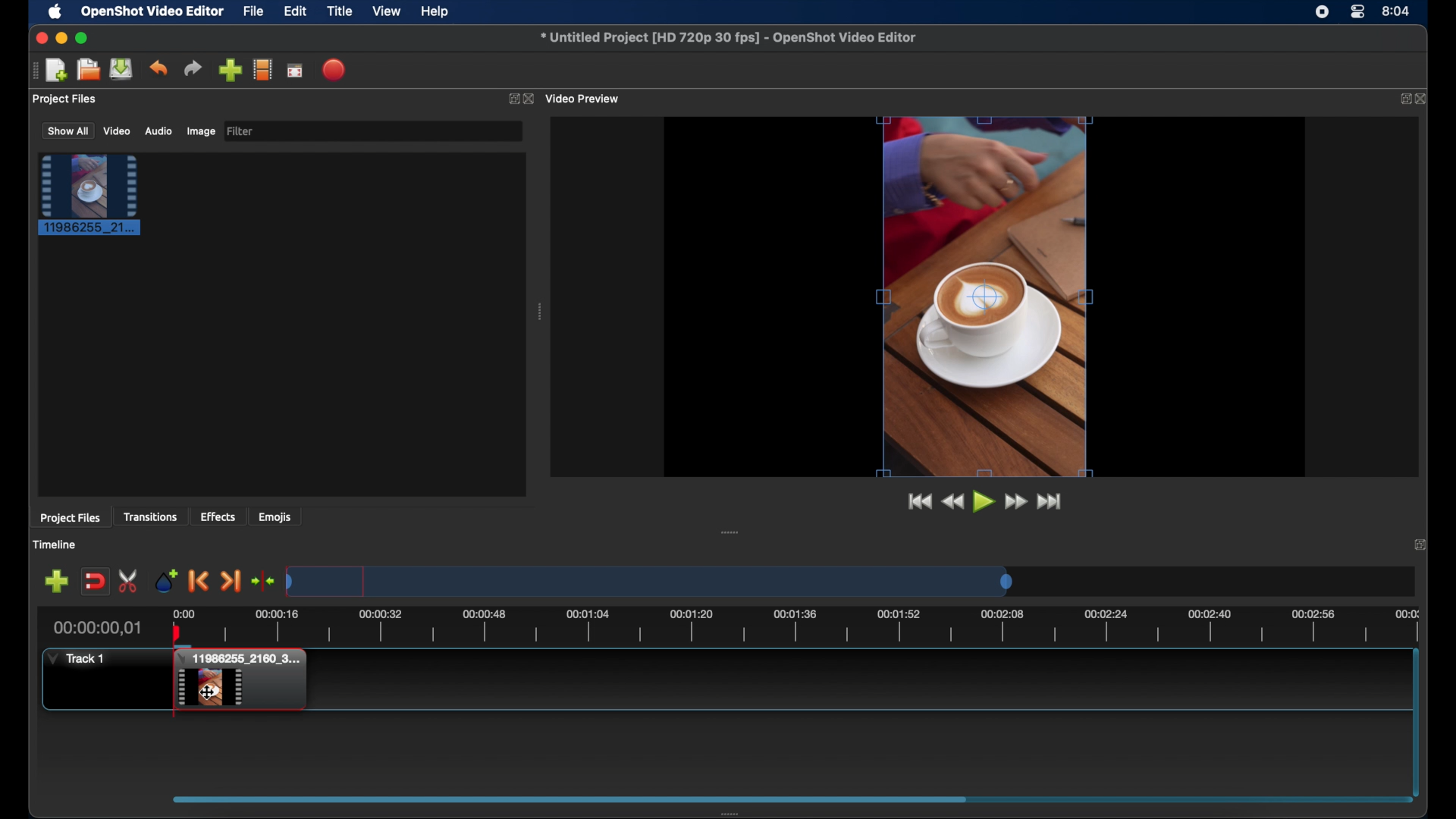 This screenshot has height=819, width=1456. I want to click on scroll box, so click(568, 797).